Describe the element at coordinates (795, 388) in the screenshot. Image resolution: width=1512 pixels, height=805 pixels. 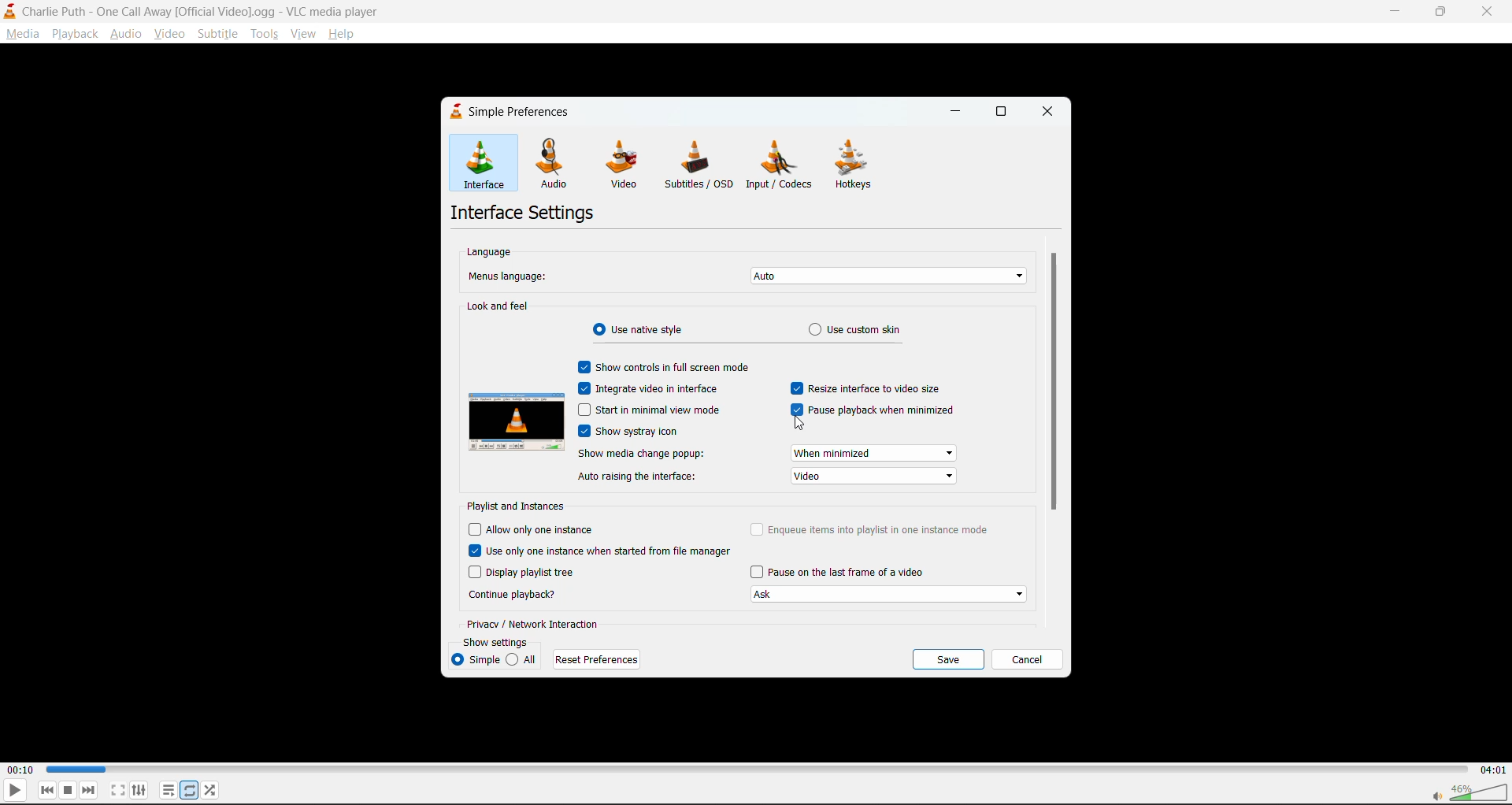
I see `Checbox` at that location.